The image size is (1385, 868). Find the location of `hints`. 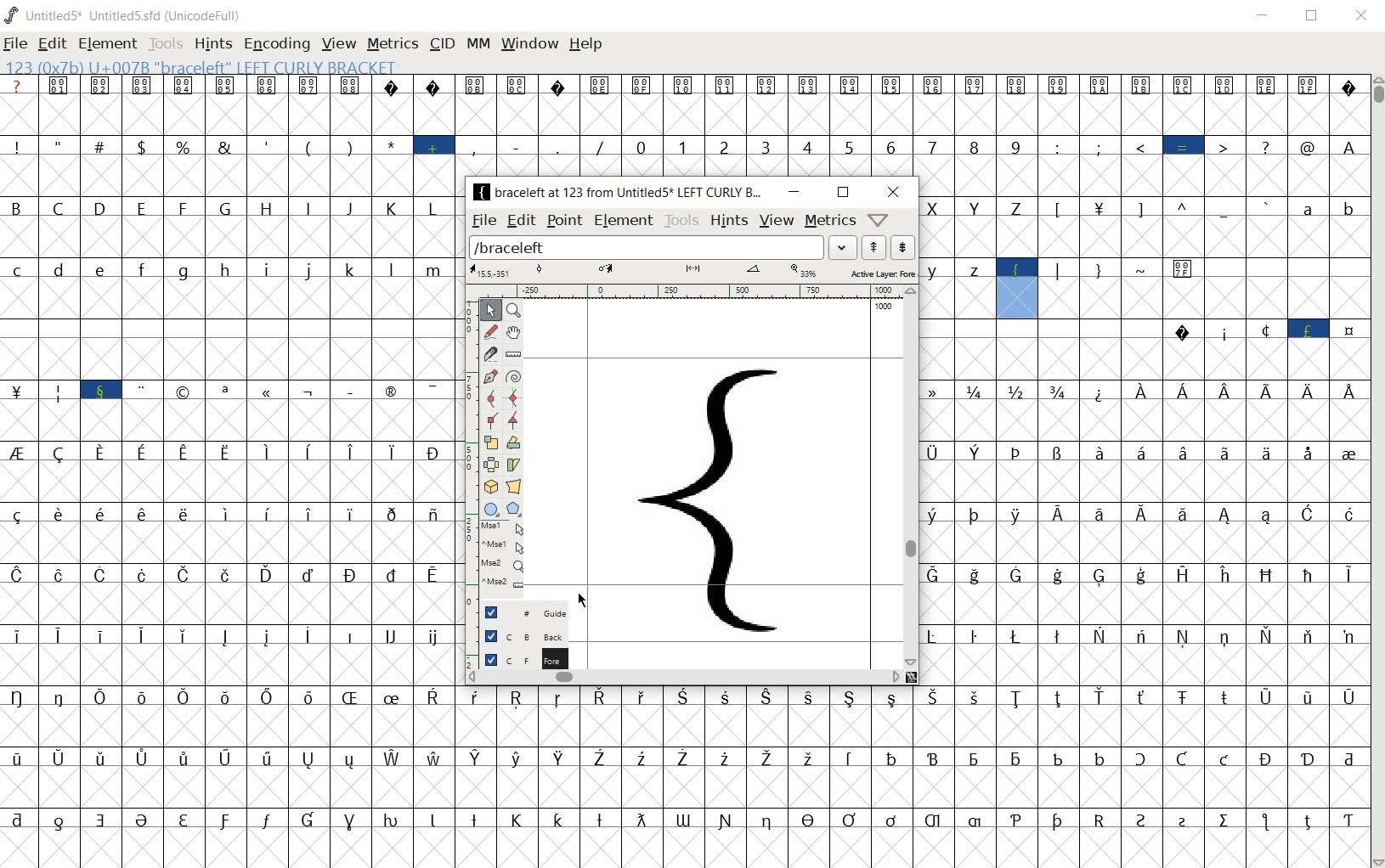

hints is located at coordinates (727, 222).